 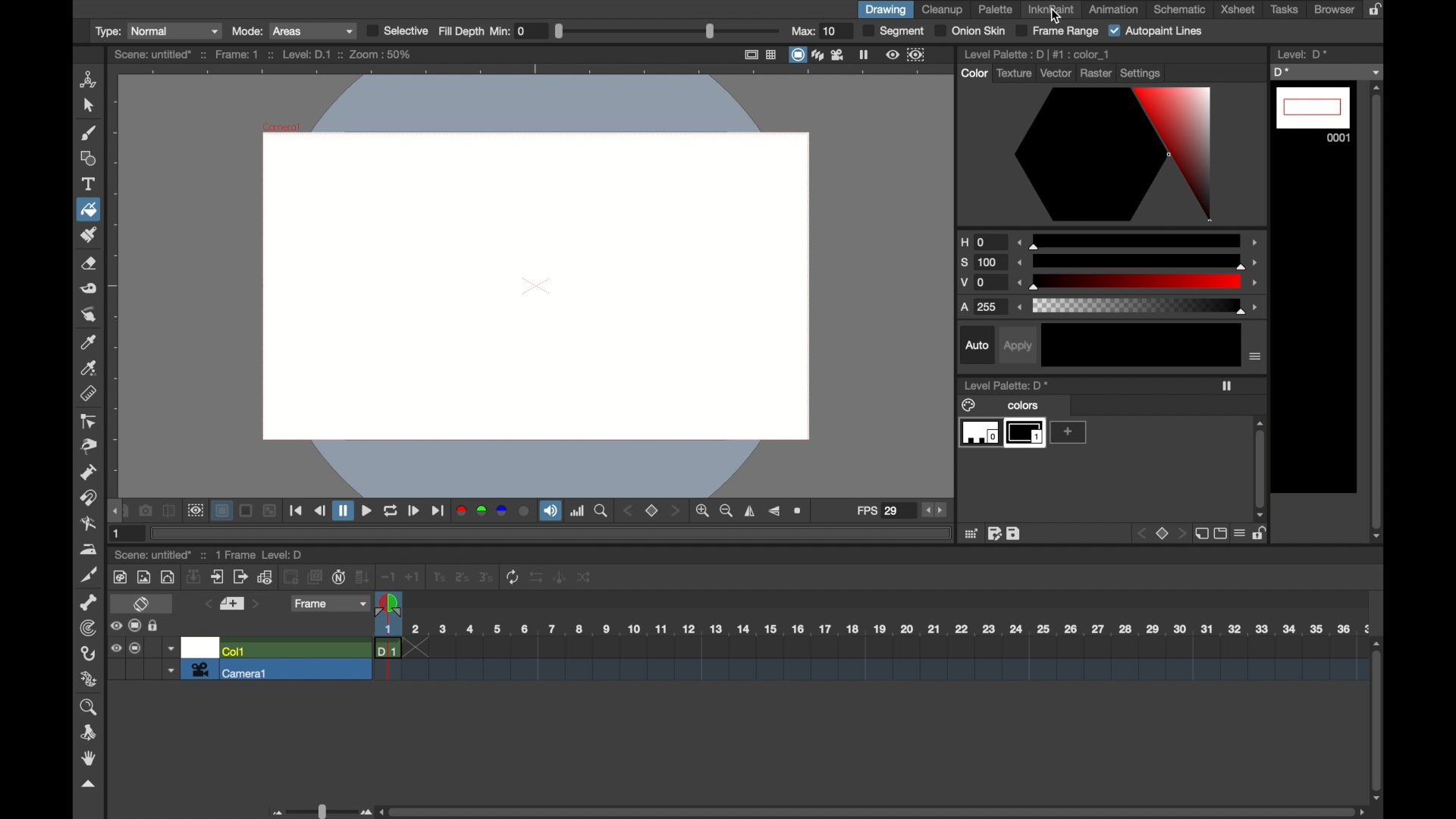 What do you see at coordinates (1056, 73) in the screenshot?
I see `vector` at bounding box center [1056, 73].